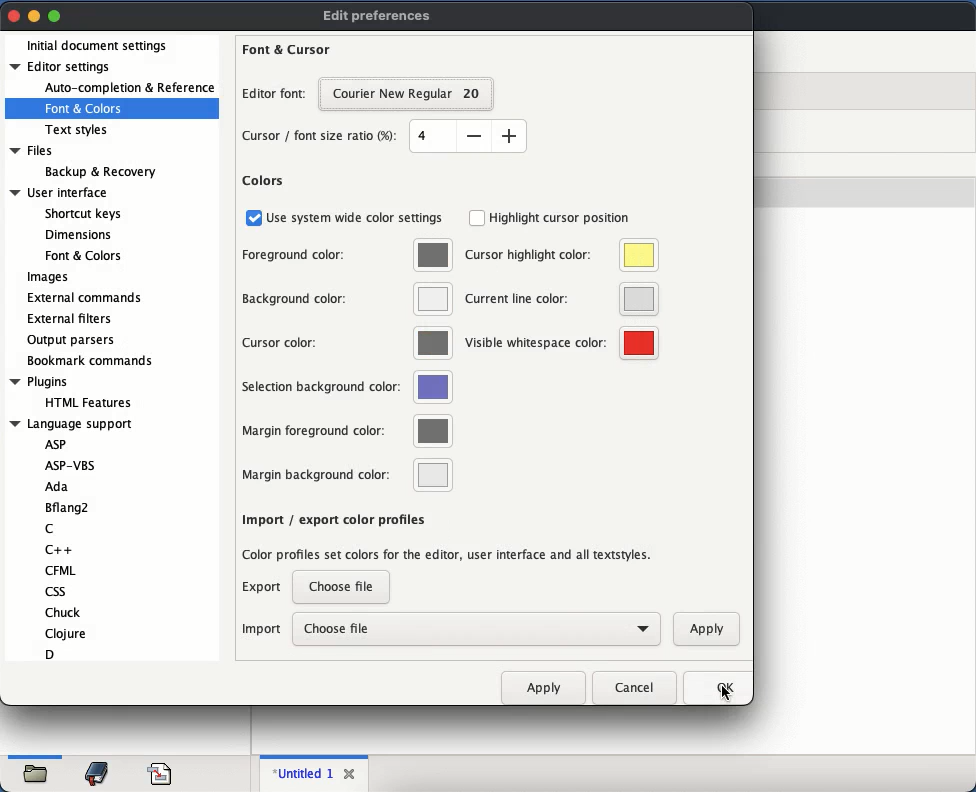 The image size is (976, 792). Describe the element at coordinates (261, 629) in the screenshot. I see `import` at that location.